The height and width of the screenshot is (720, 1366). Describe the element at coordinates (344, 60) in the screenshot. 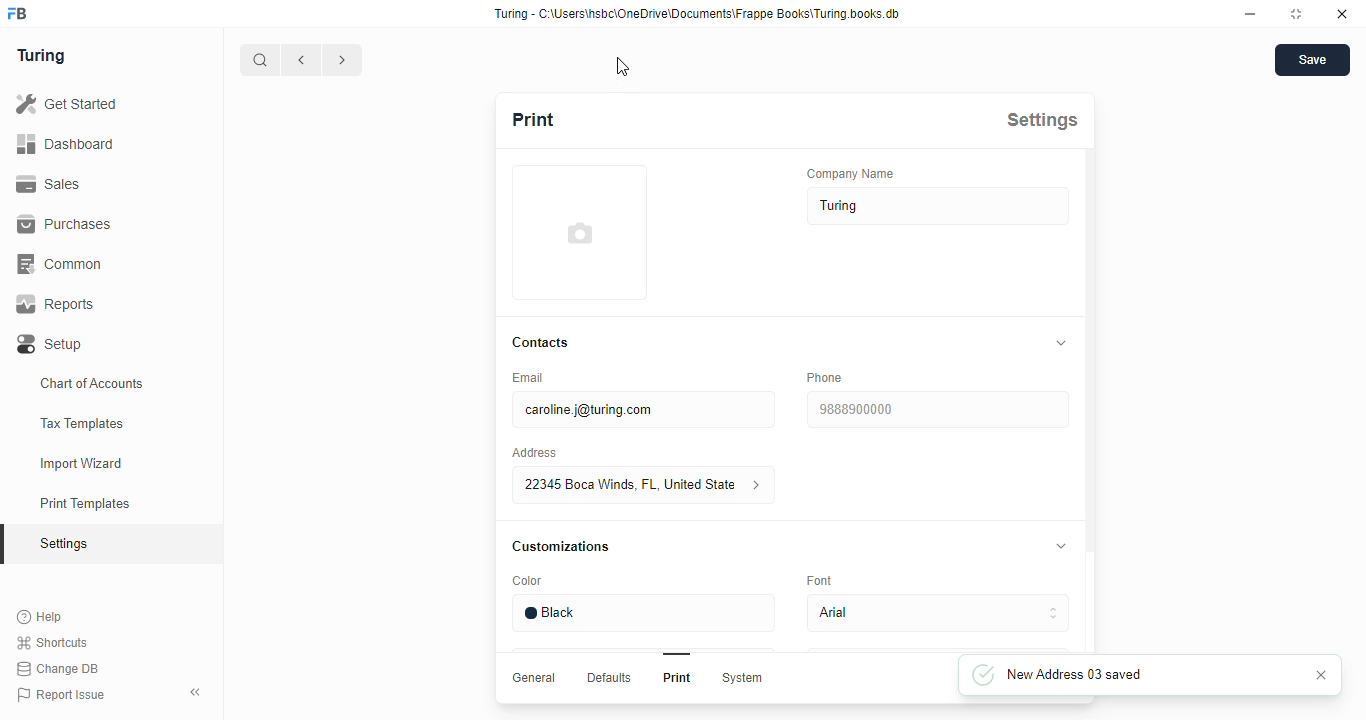

I see `next` at that location.